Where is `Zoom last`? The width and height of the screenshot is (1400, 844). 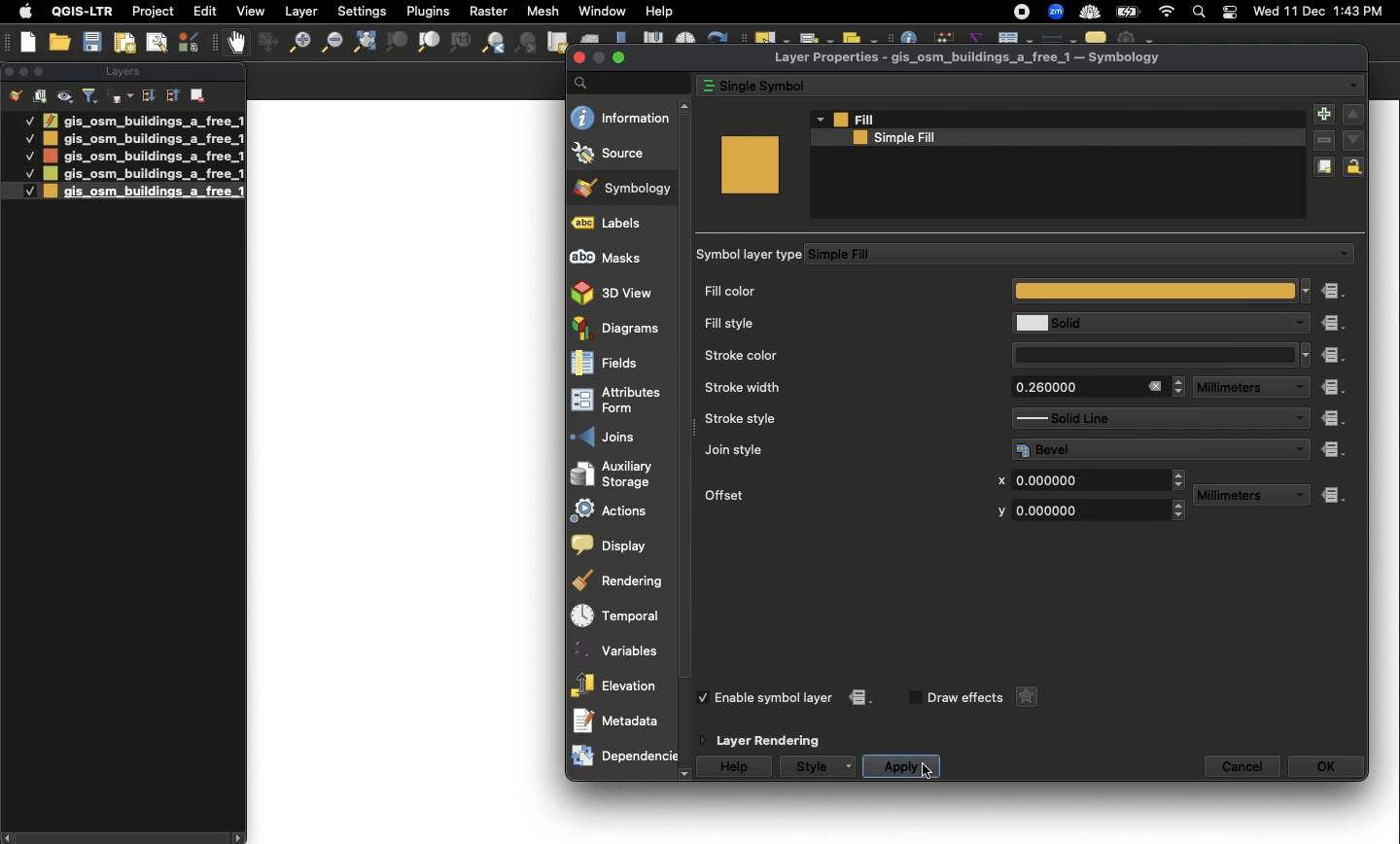 Zoom last is located at coordinates (493, 43).